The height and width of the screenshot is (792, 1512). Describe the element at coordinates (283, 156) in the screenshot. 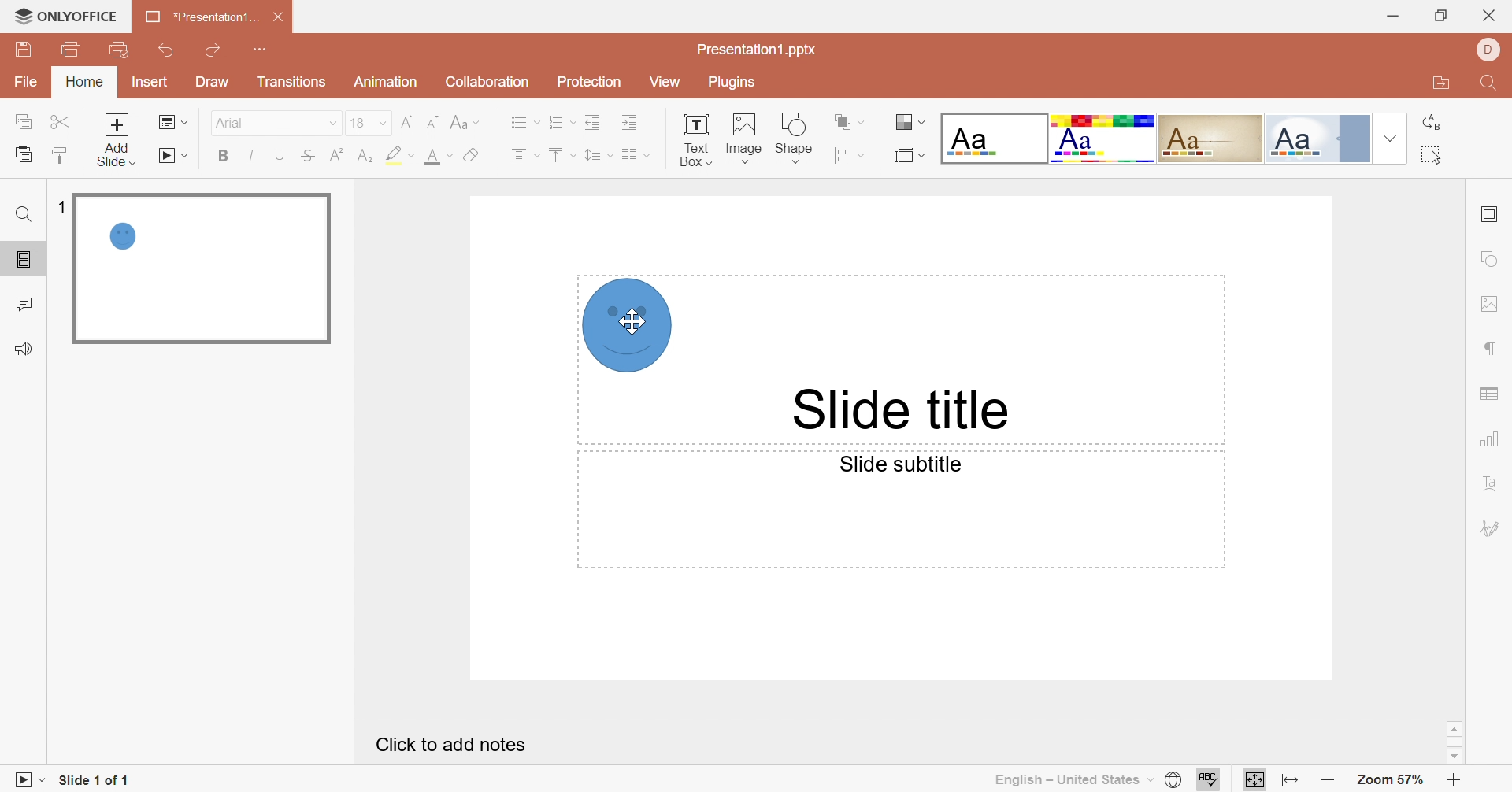

I see `Underline` at that location.